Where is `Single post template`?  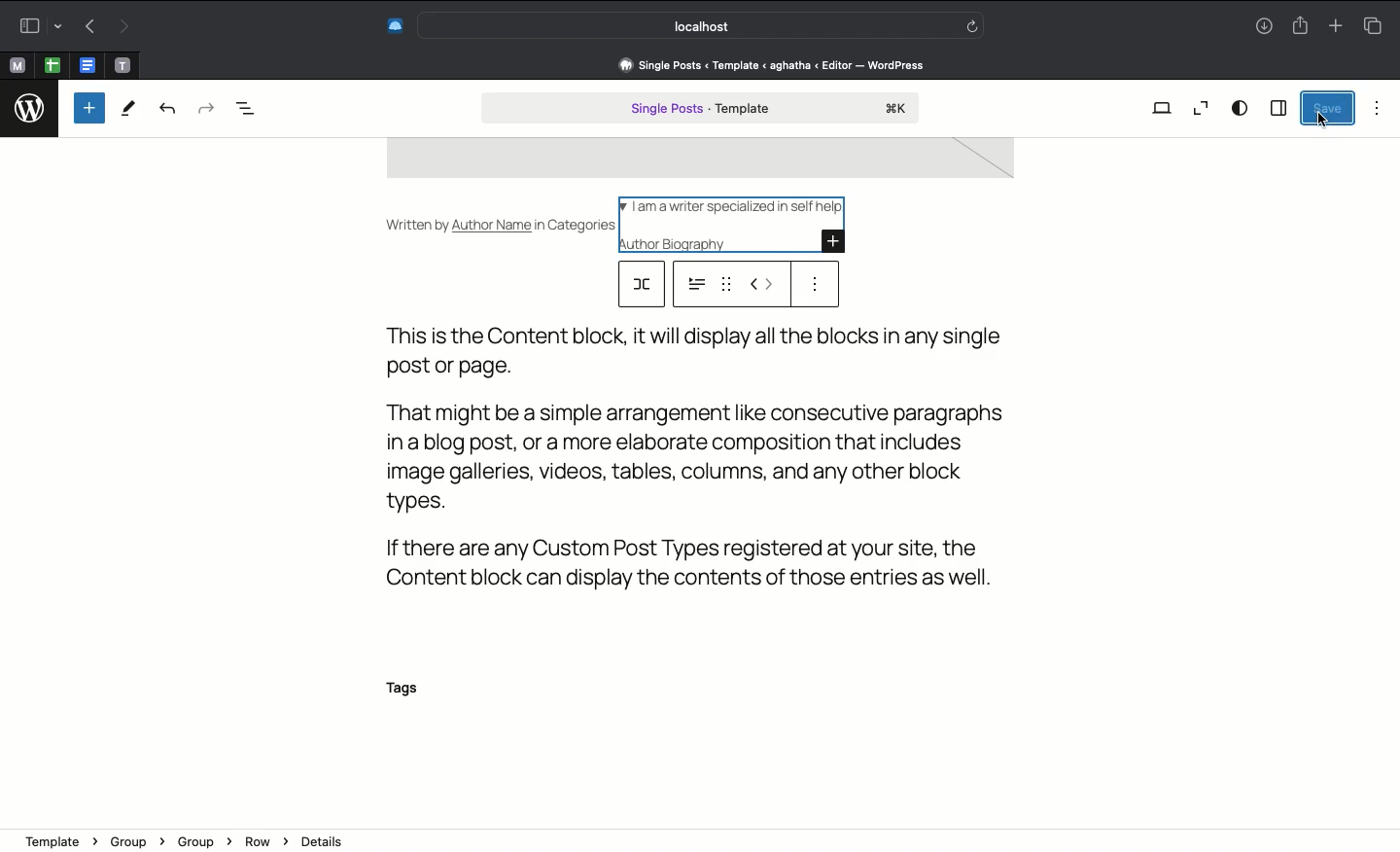 Single post template is located at coordinates (700, 110).